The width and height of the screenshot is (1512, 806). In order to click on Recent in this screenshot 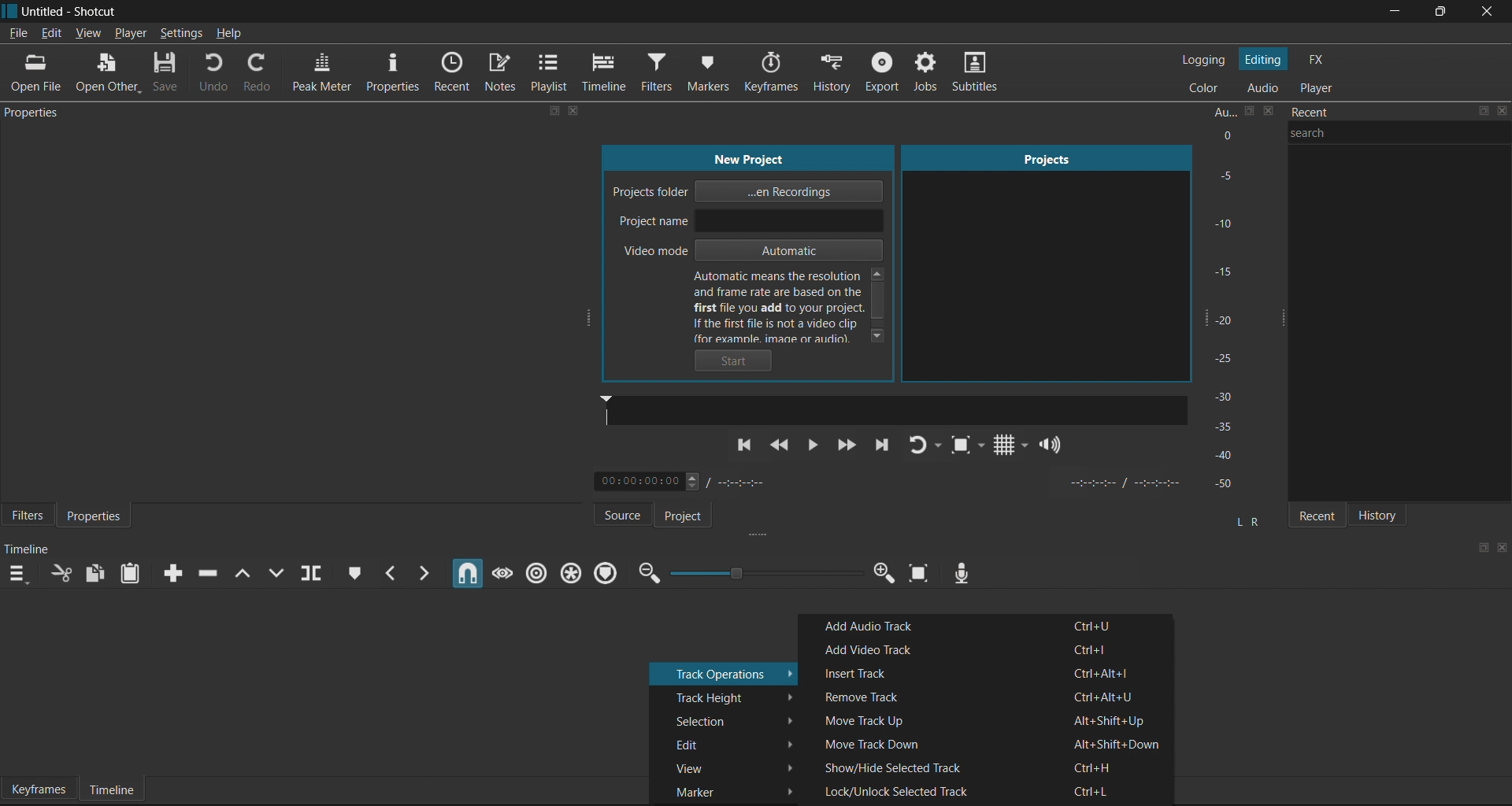, I will do `click(455, 72)`.